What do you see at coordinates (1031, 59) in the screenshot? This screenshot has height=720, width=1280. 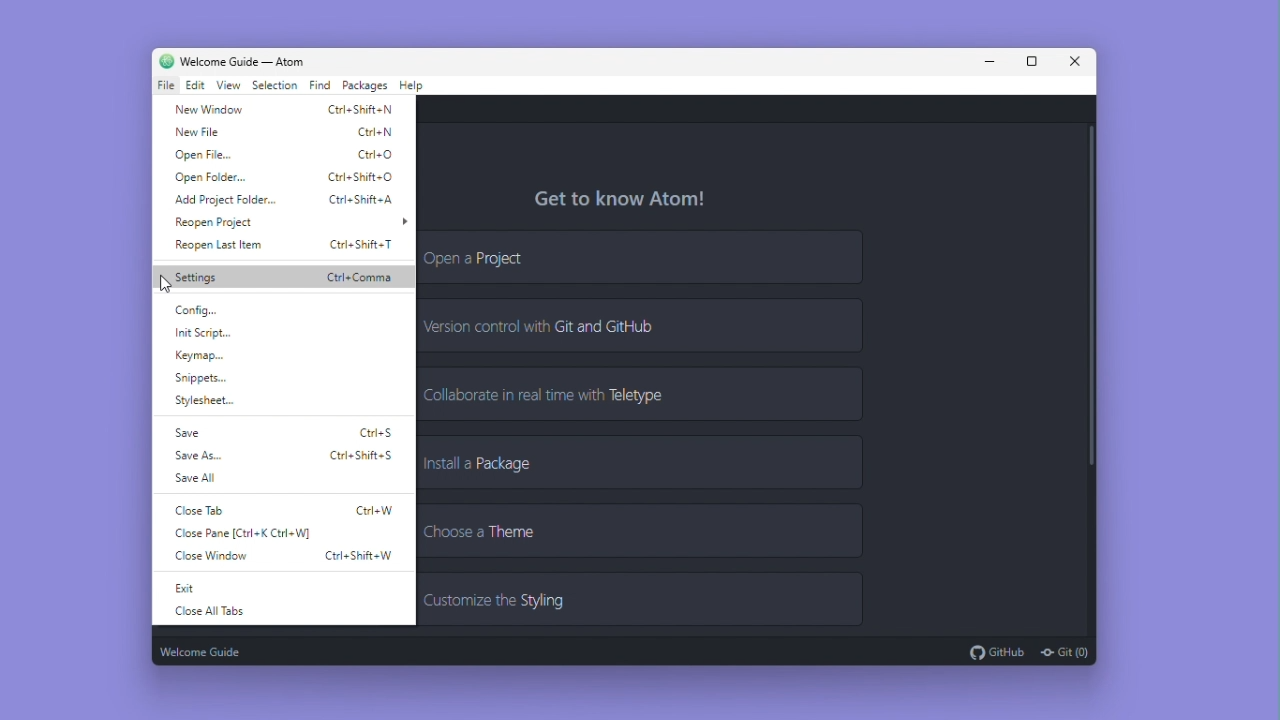 I see `Maximize` at bounding box center [1031, 59].